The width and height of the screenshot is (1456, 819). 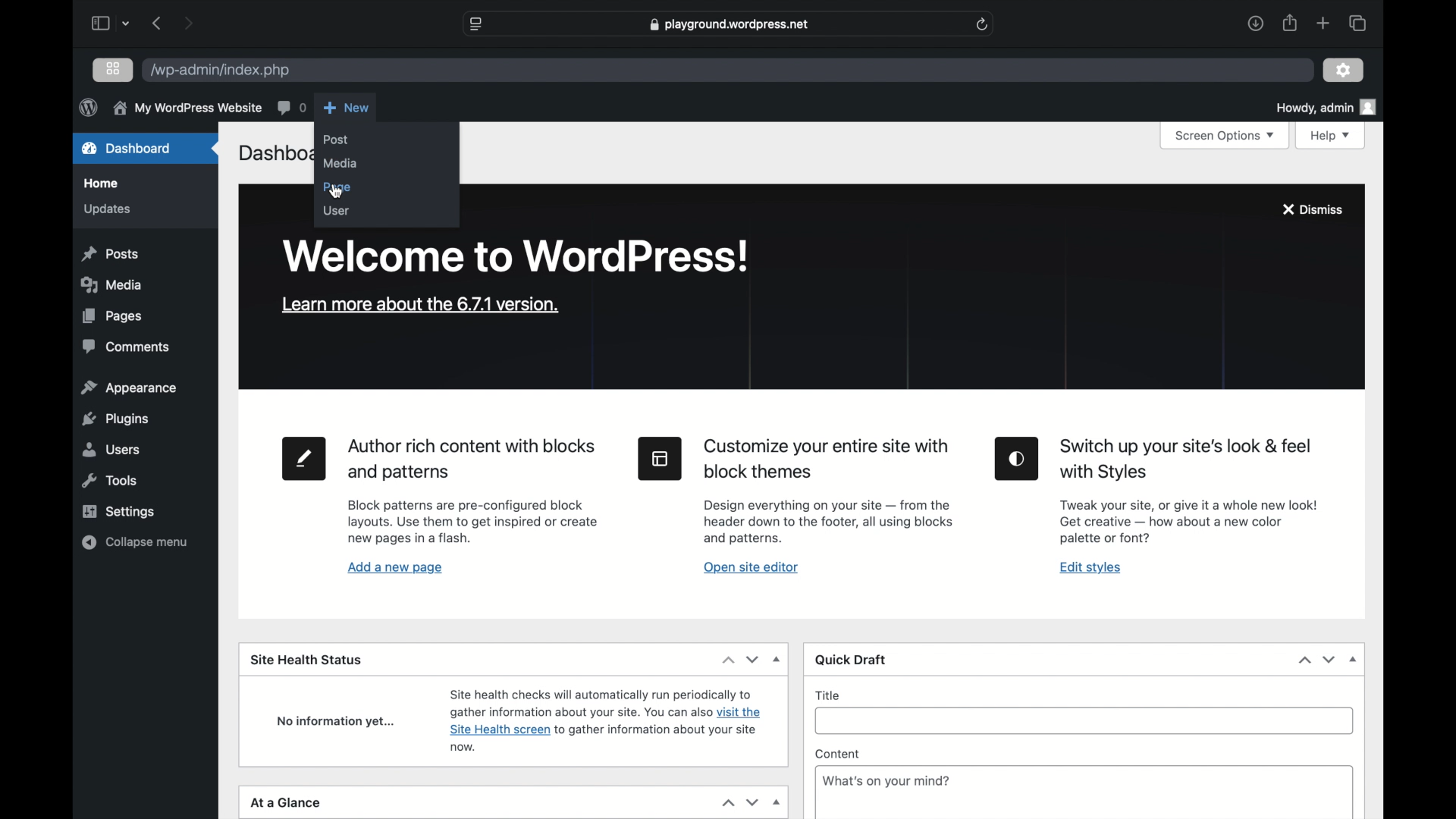 I want to click on downloads, so click(x=1255, y=23).